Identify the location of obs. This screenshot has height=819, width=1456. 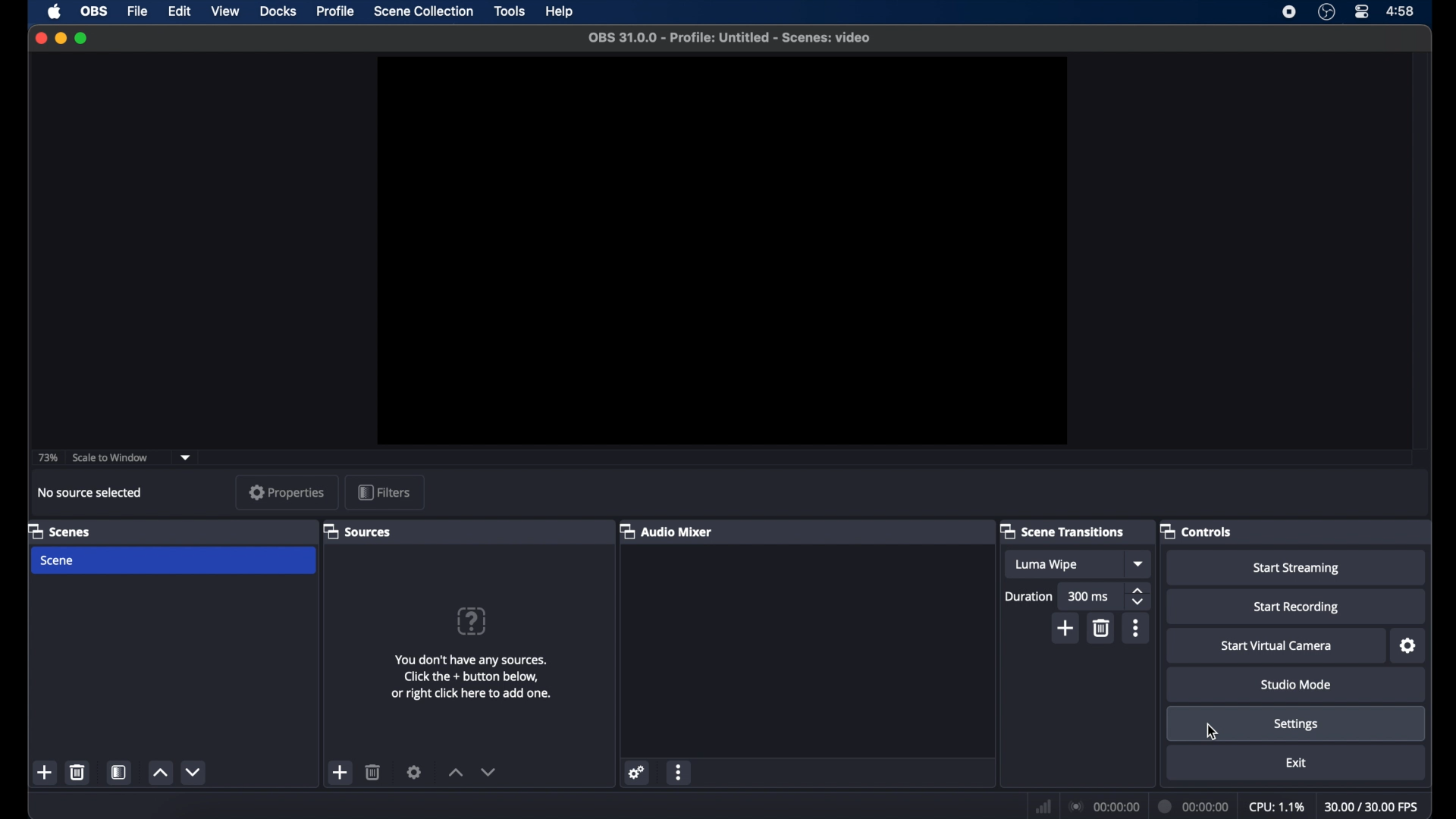
(93, 11).